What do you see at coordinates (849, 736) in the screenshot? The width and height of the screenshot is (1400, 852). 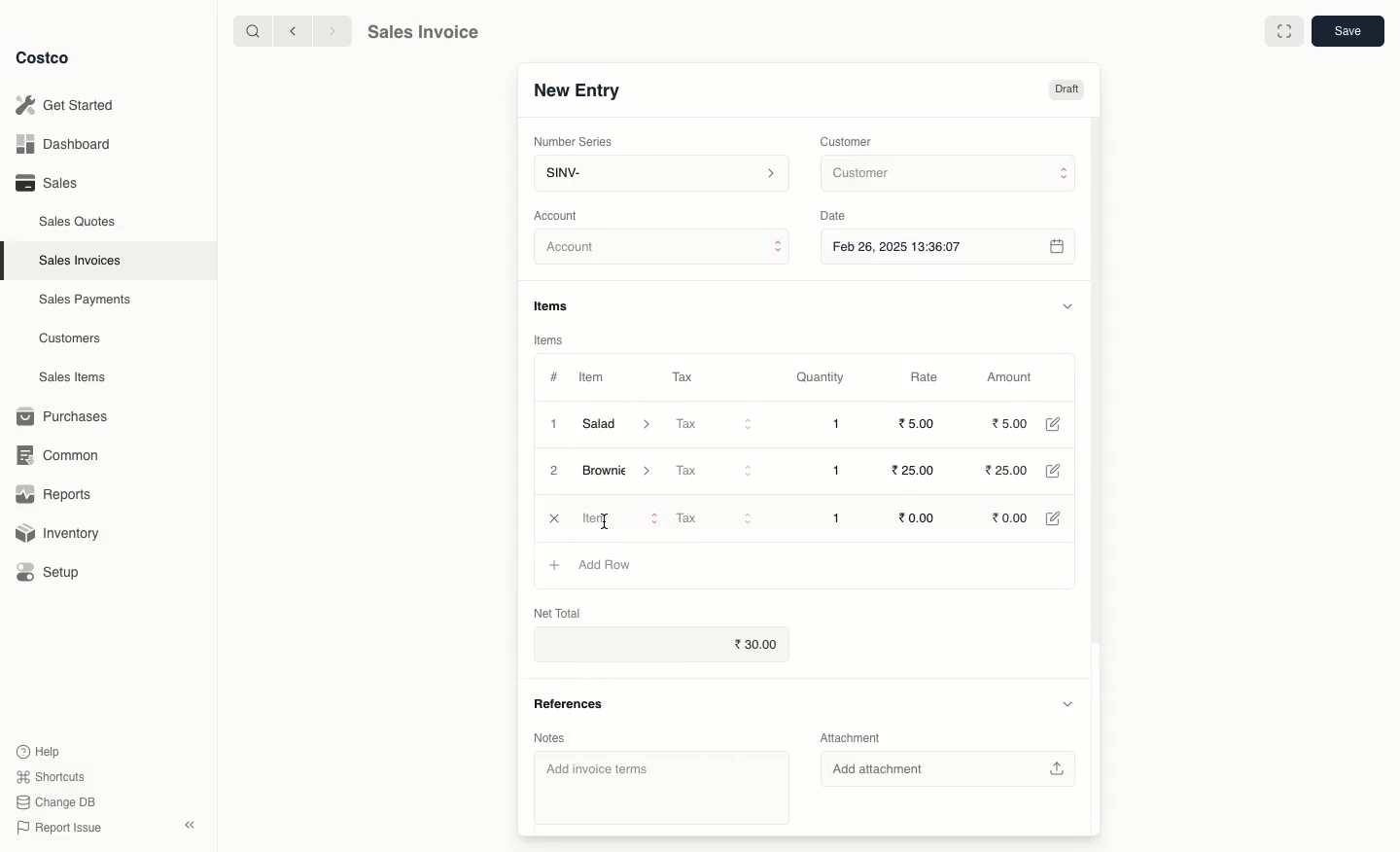 I see `Attachment` at bounding box center [849, 736].